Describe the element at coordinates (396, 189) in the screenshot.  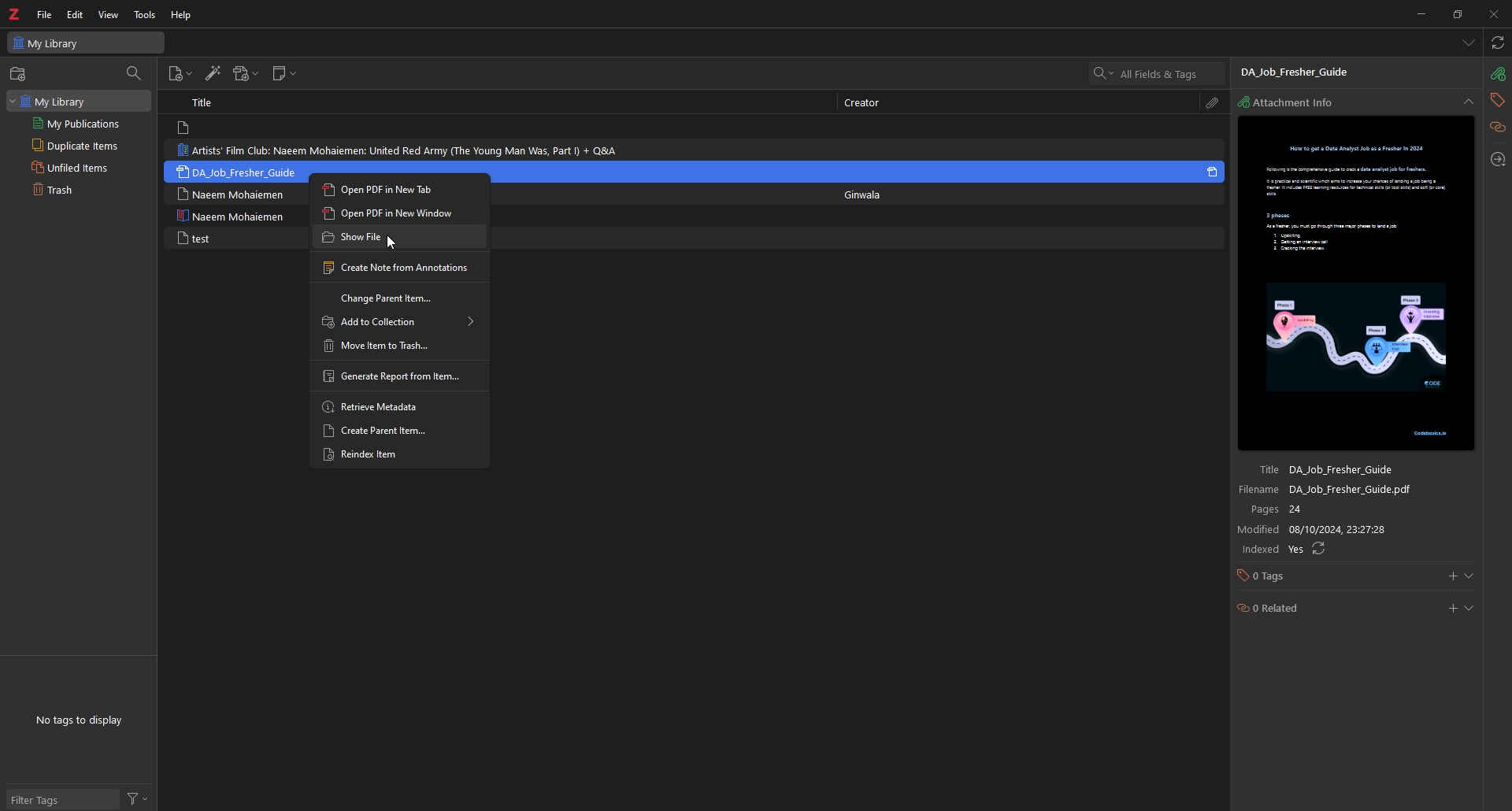
I see `open pdf in new tab` at that location.